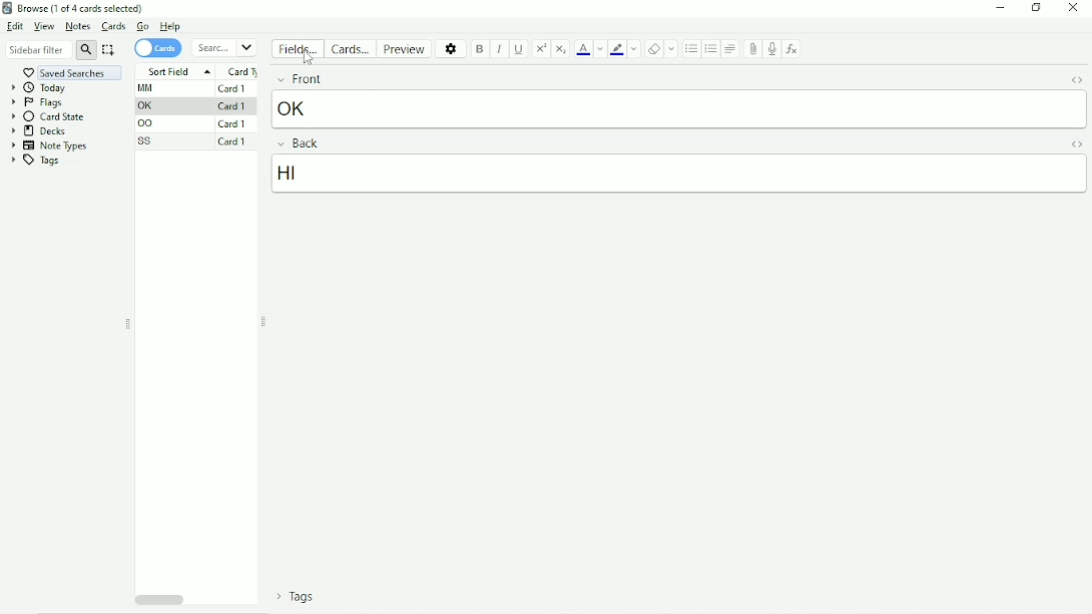  What do you see at coordinates (1074, 79) in the screenshot?
I see `Toggle HTML Editor` at bounding box center [1074, 79].